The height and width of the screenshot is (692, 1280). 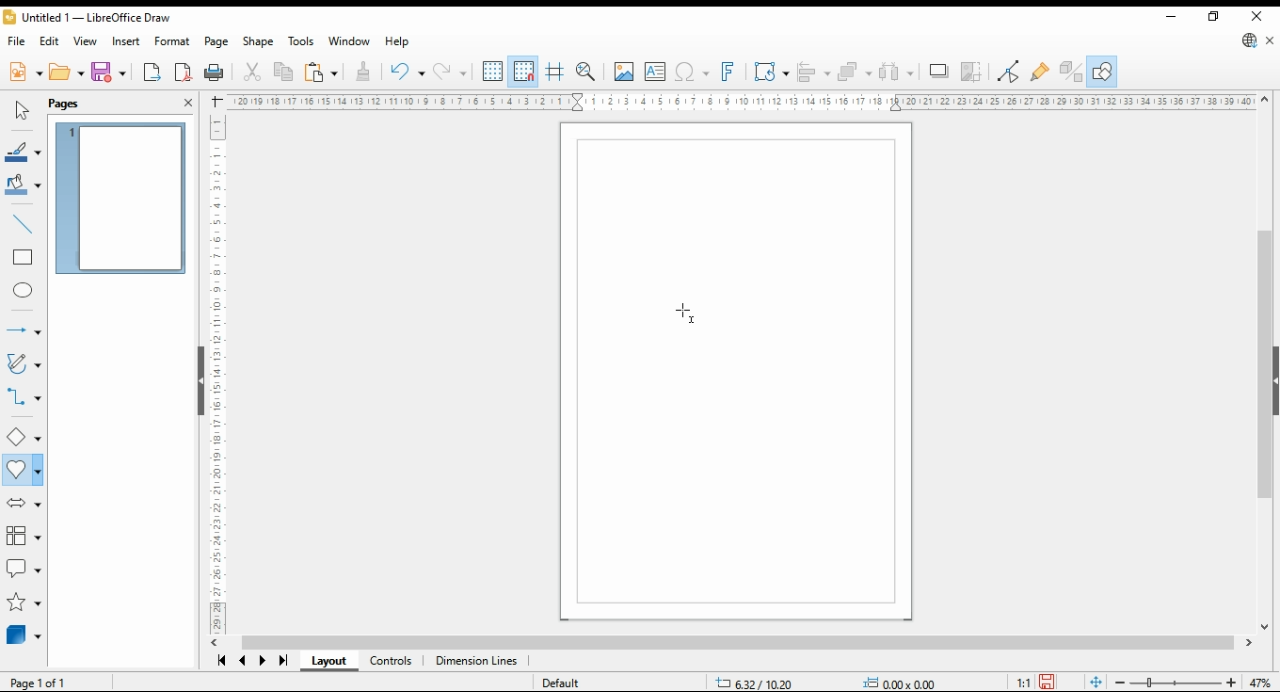 What do you see at coordinates (24, 564) in the screenshot?
I see `callout shapes` at bounding box center [24, 564].